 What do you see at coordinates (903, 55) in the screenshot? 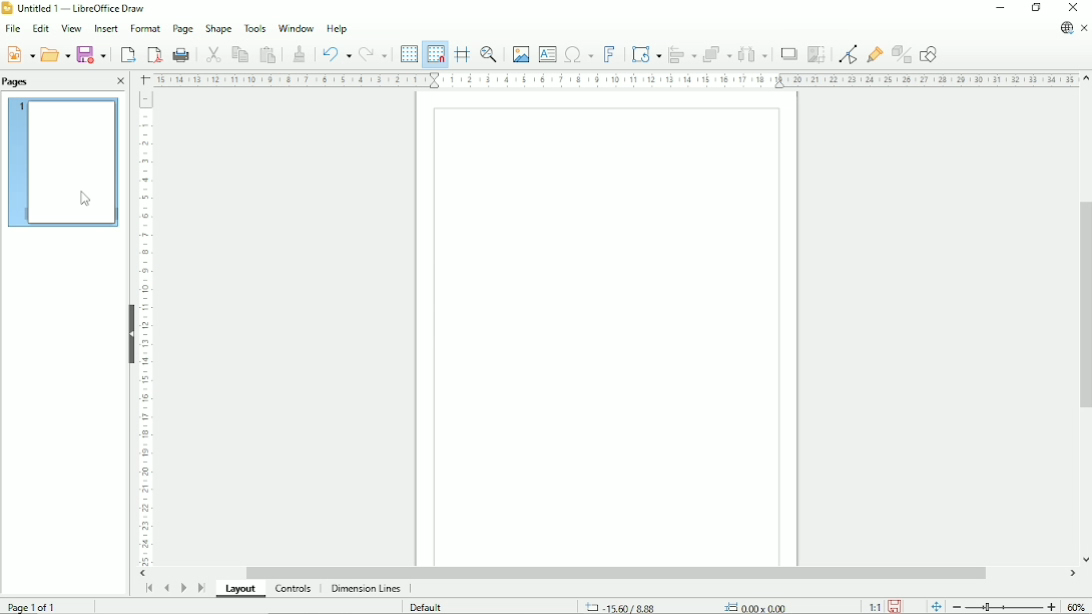
I see `Toggle extrusion` at bounding box center [903, 55].